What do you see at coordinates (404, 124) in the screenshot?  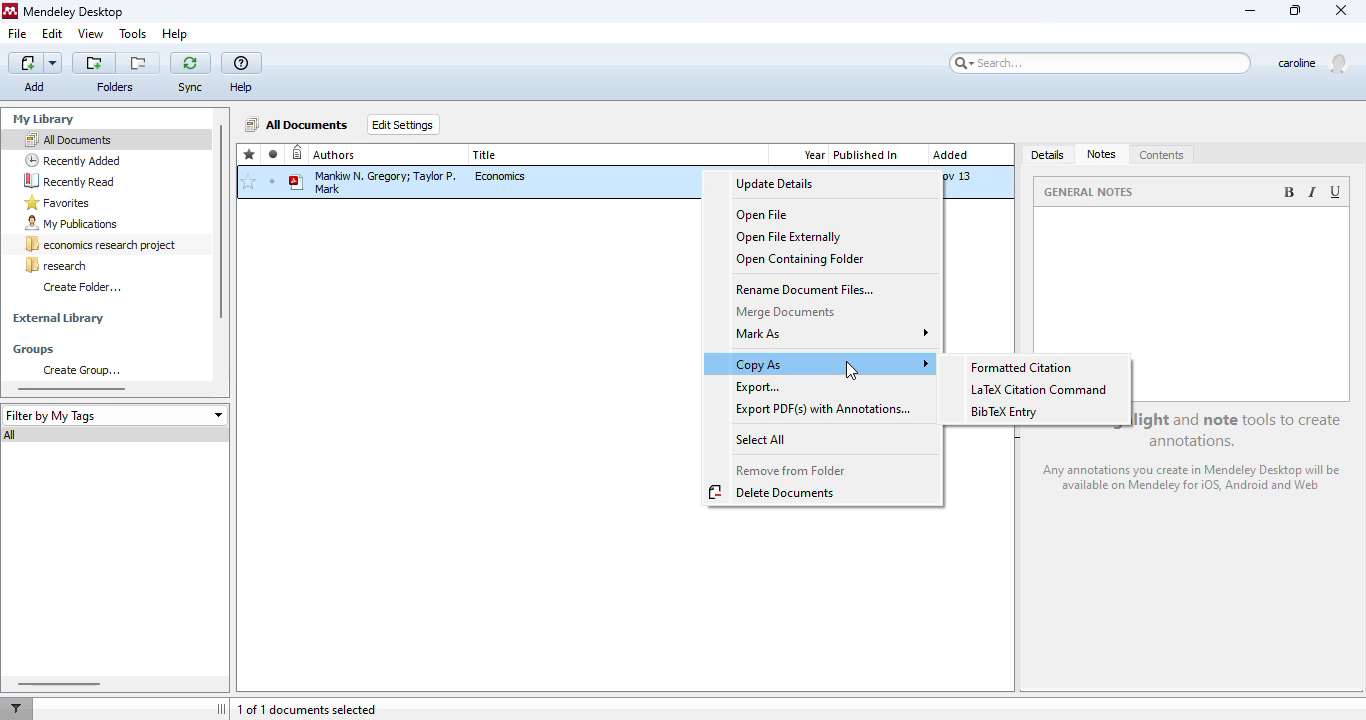 I see `edit settings` at bounding box center [404, 124].